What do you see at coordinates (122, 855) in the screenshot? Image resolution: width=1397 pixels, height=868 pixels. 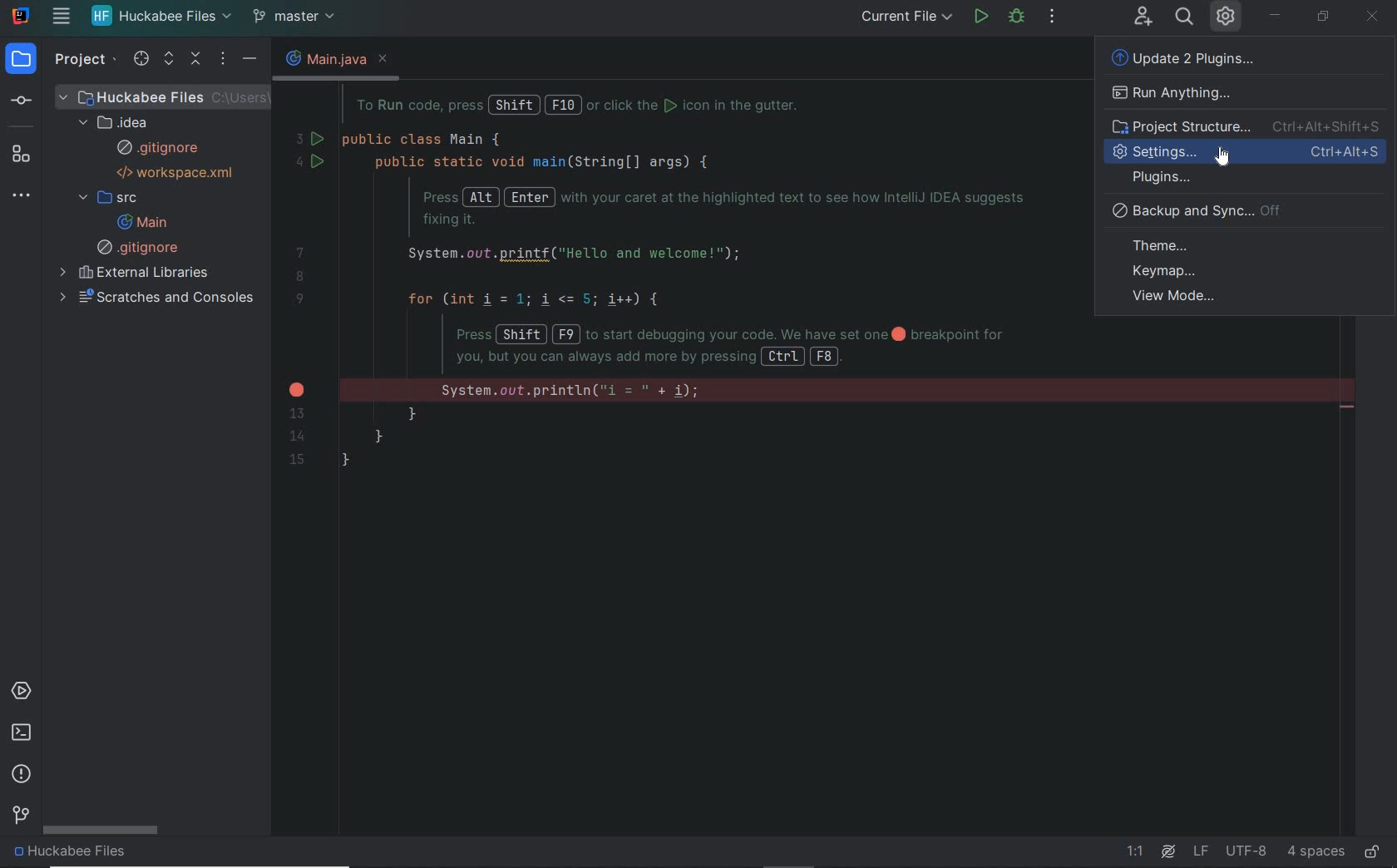 I see `project file name` at bounding box center [122, 855].